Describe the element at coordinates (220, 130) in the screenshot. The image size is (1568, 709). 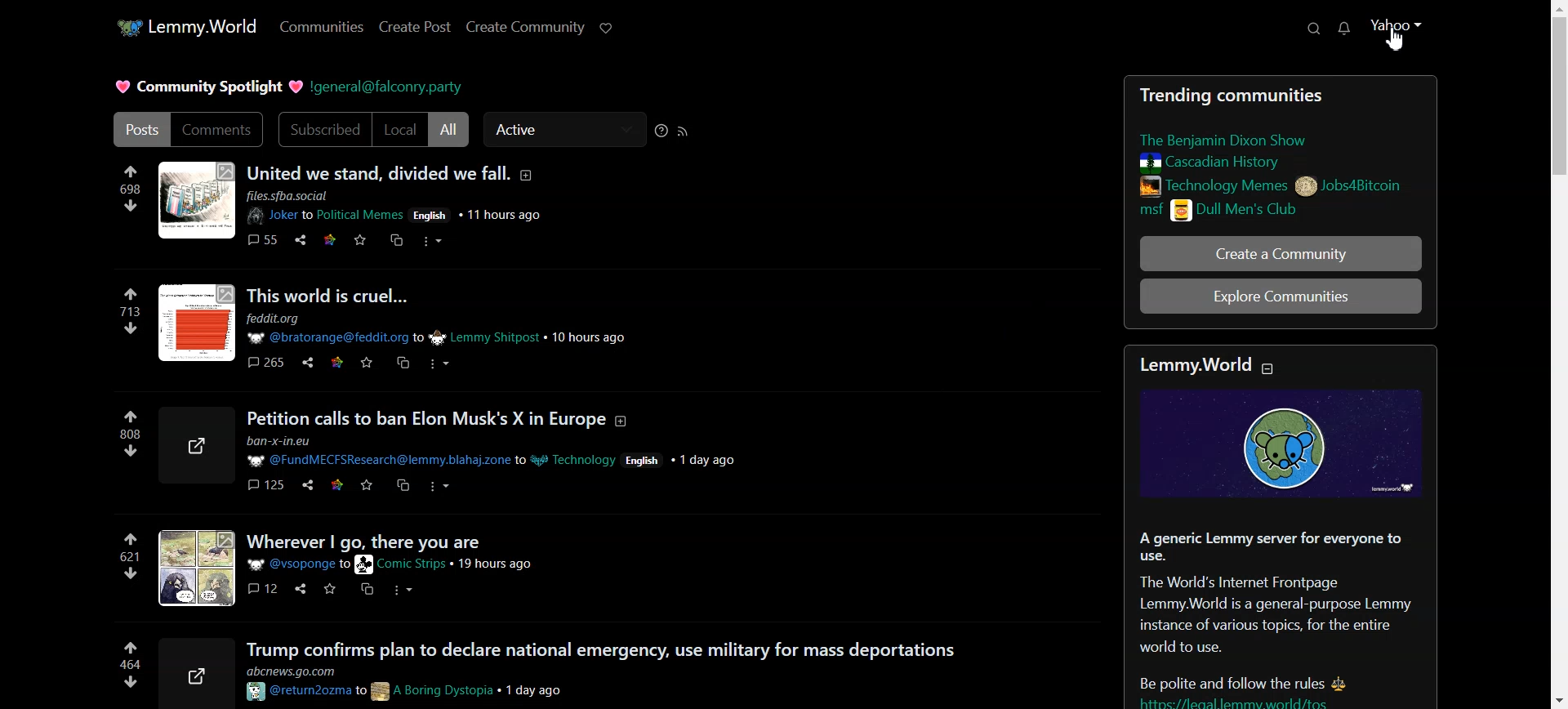
I see `Comments` at that location.